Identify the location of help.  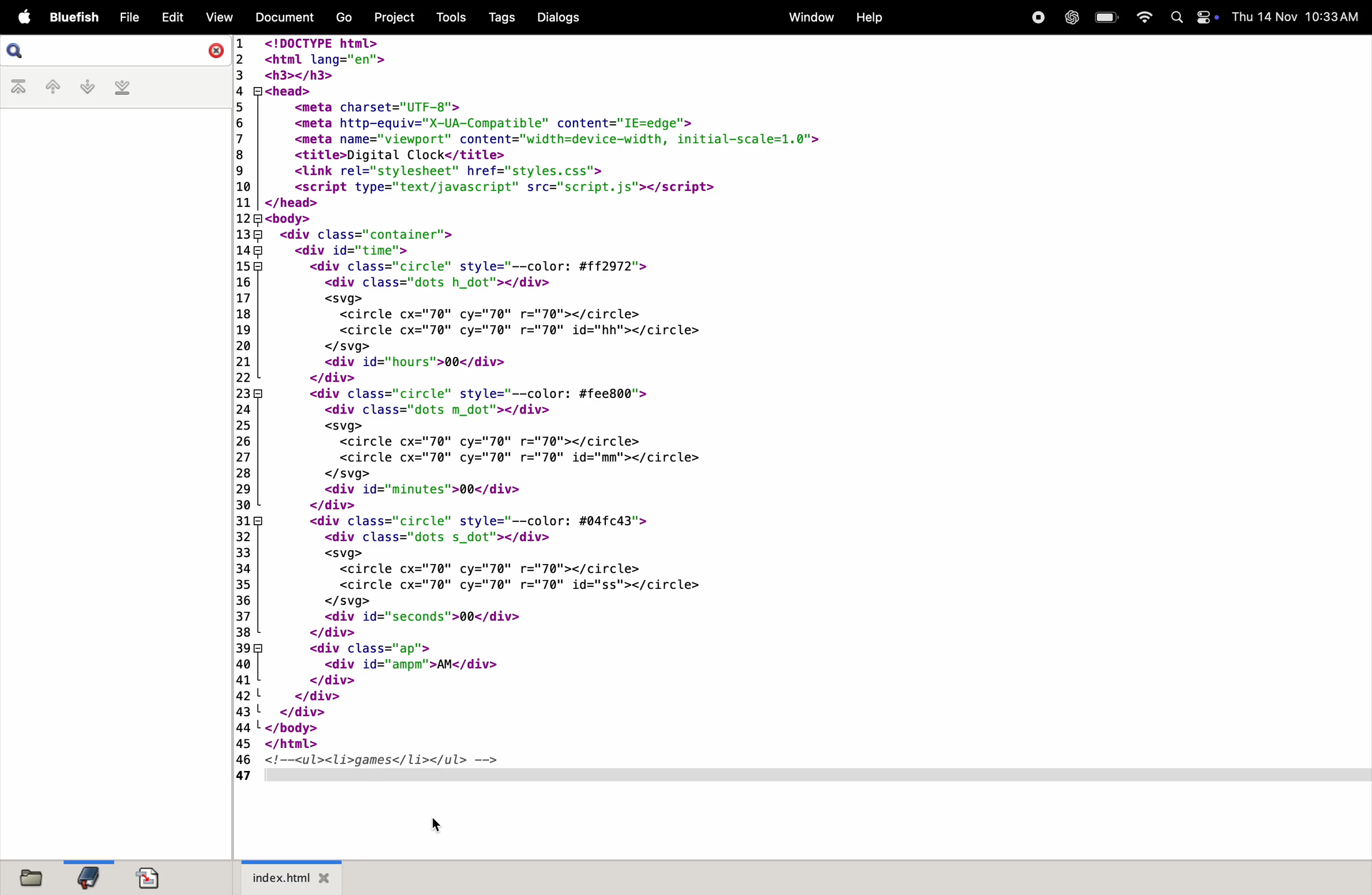
(872, 16).